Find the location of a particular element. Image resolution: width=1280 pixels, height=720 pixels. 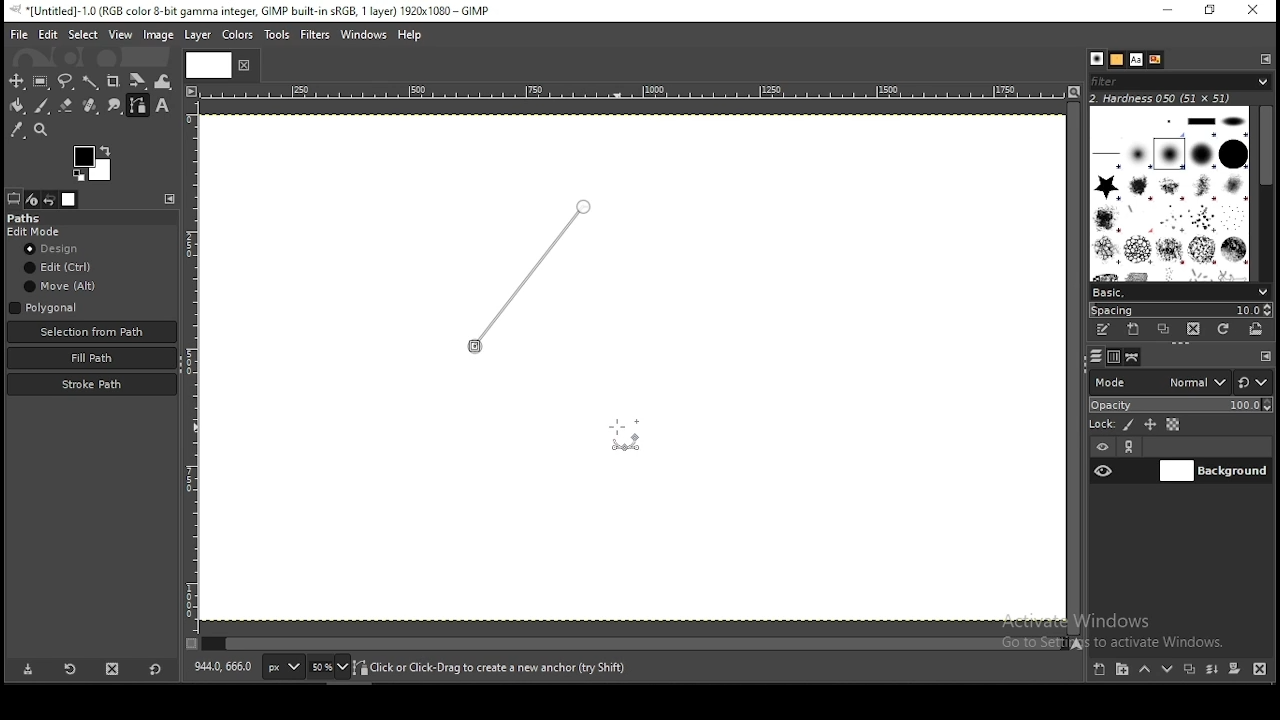

edit is located at coordinates (47, 35).